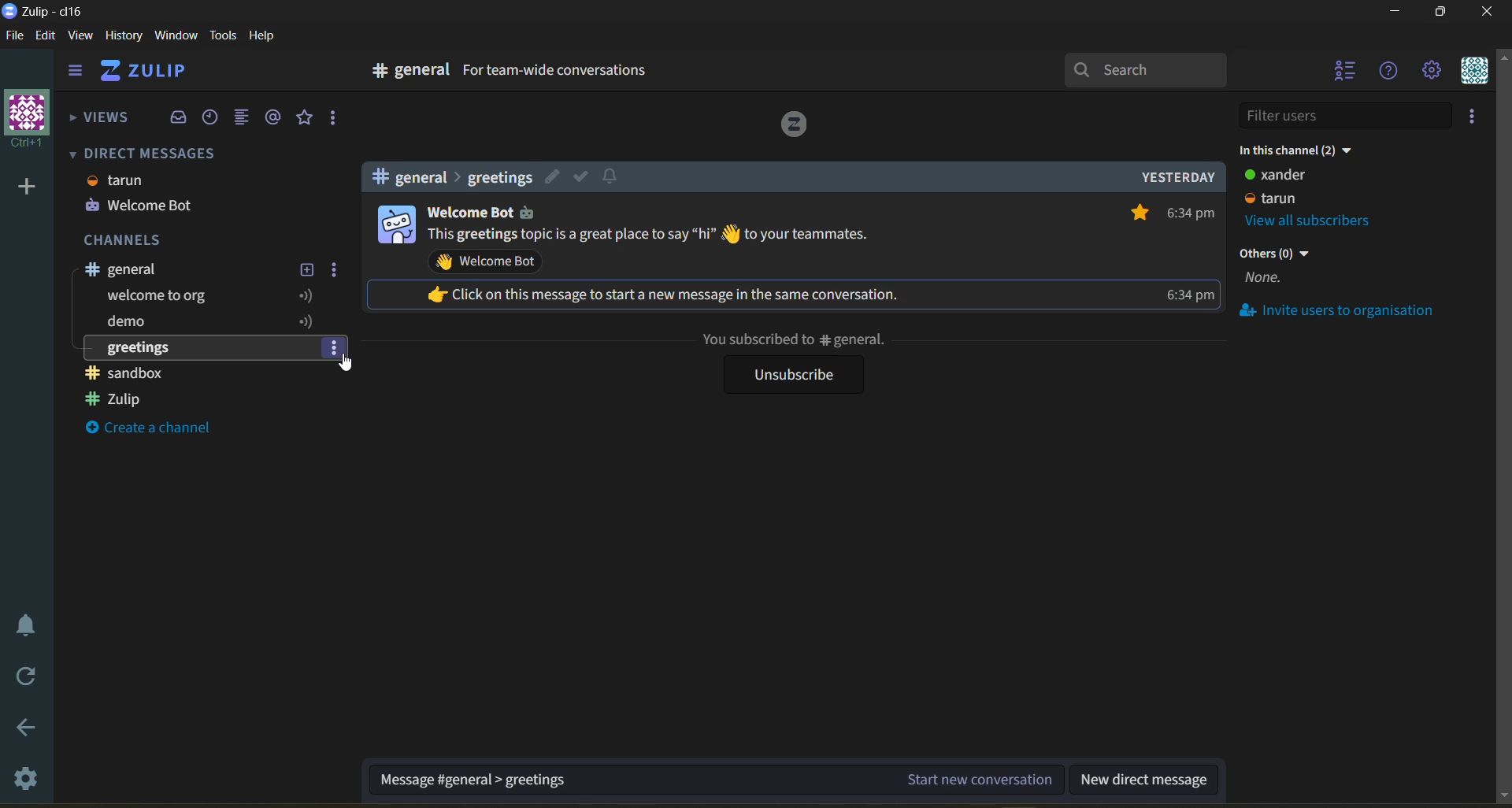 The image size is (1512, 808). What do you see at coordinates (1478, 116) in the screenshot?
I see `invite users to organisation` at bounding box center [1478, 116].